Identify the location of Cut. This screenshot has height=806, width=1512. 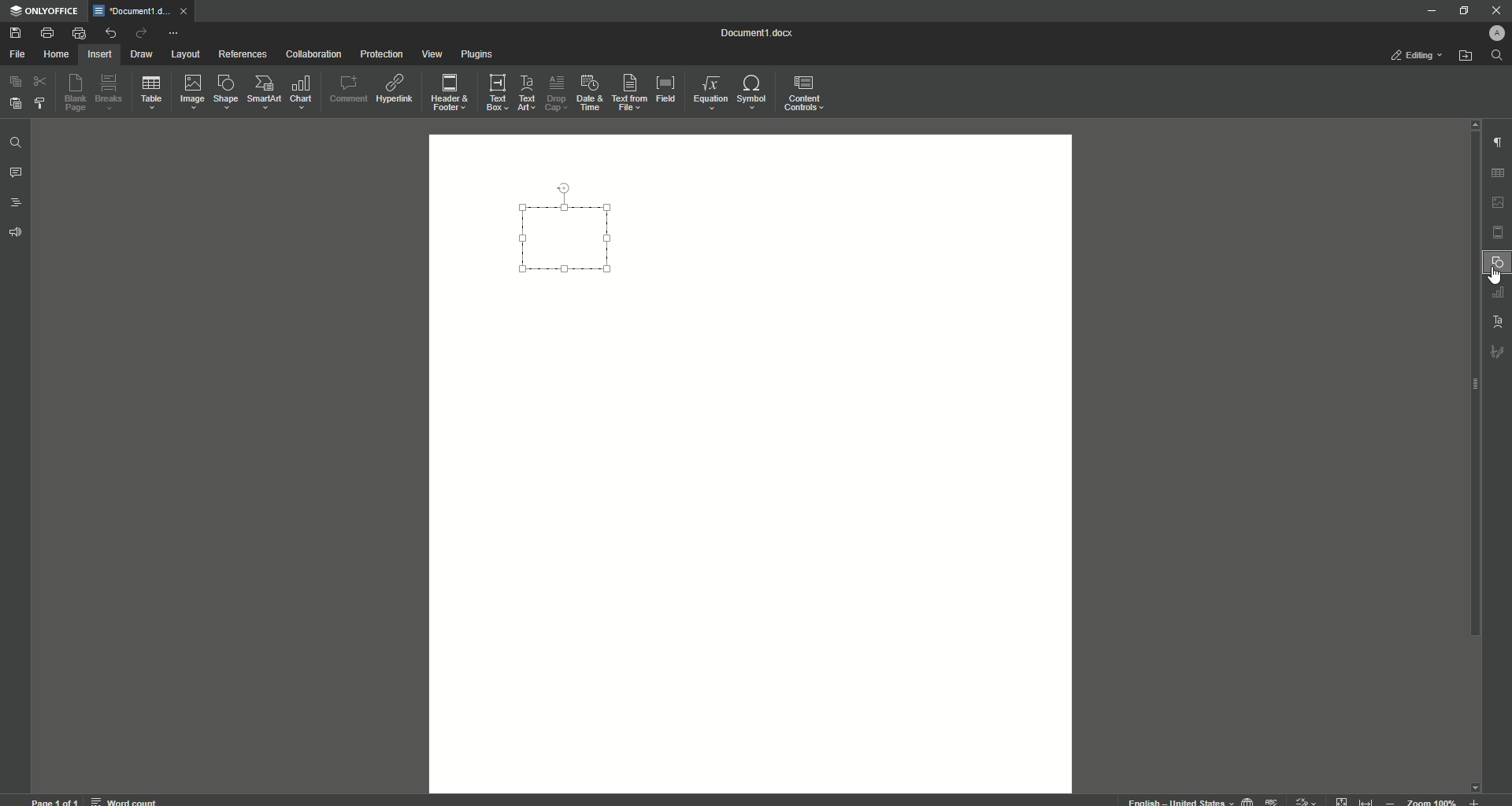
(42, 80).